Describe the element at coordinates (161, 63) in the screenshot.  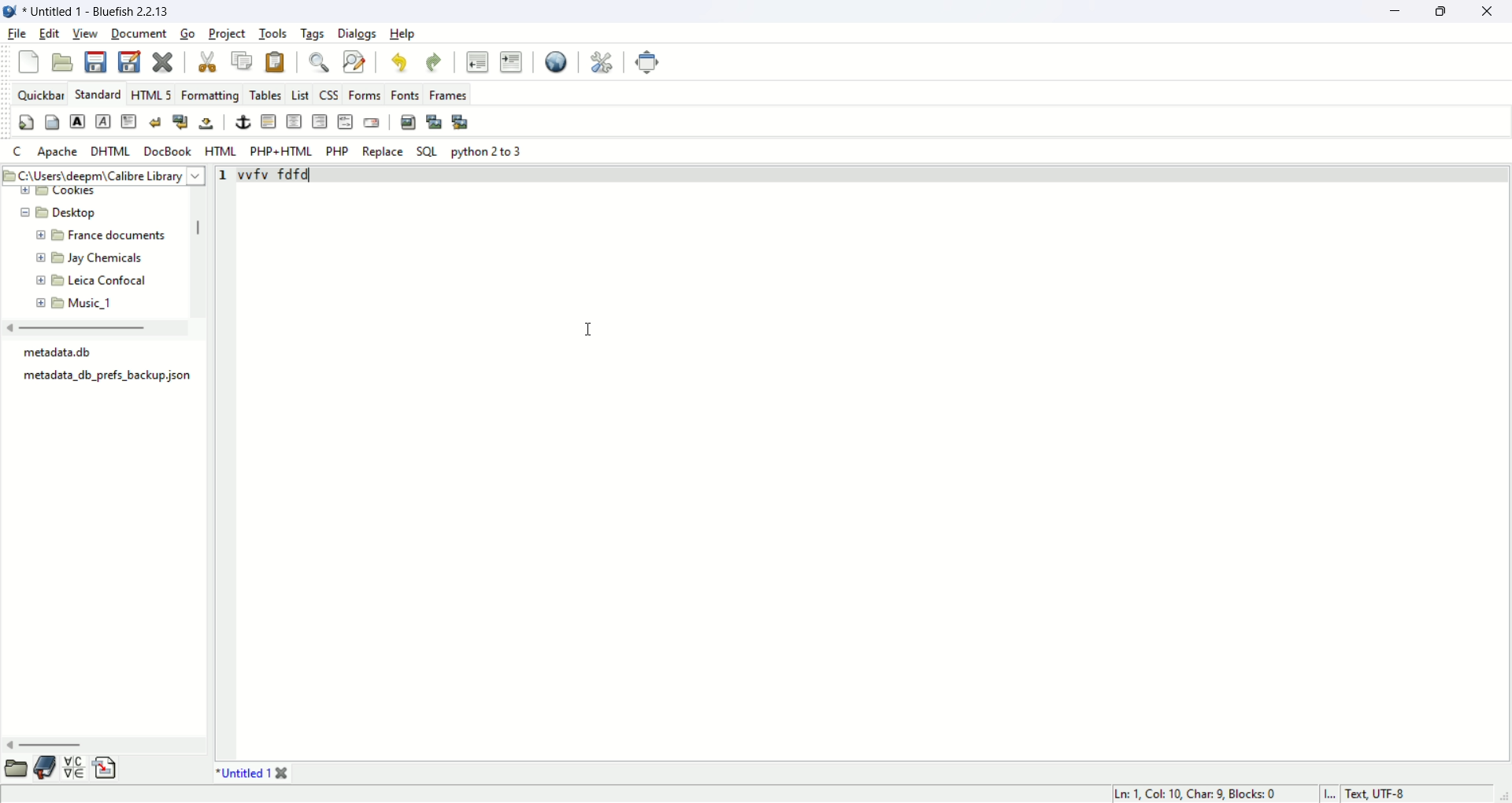
I see `close current file` at that location.